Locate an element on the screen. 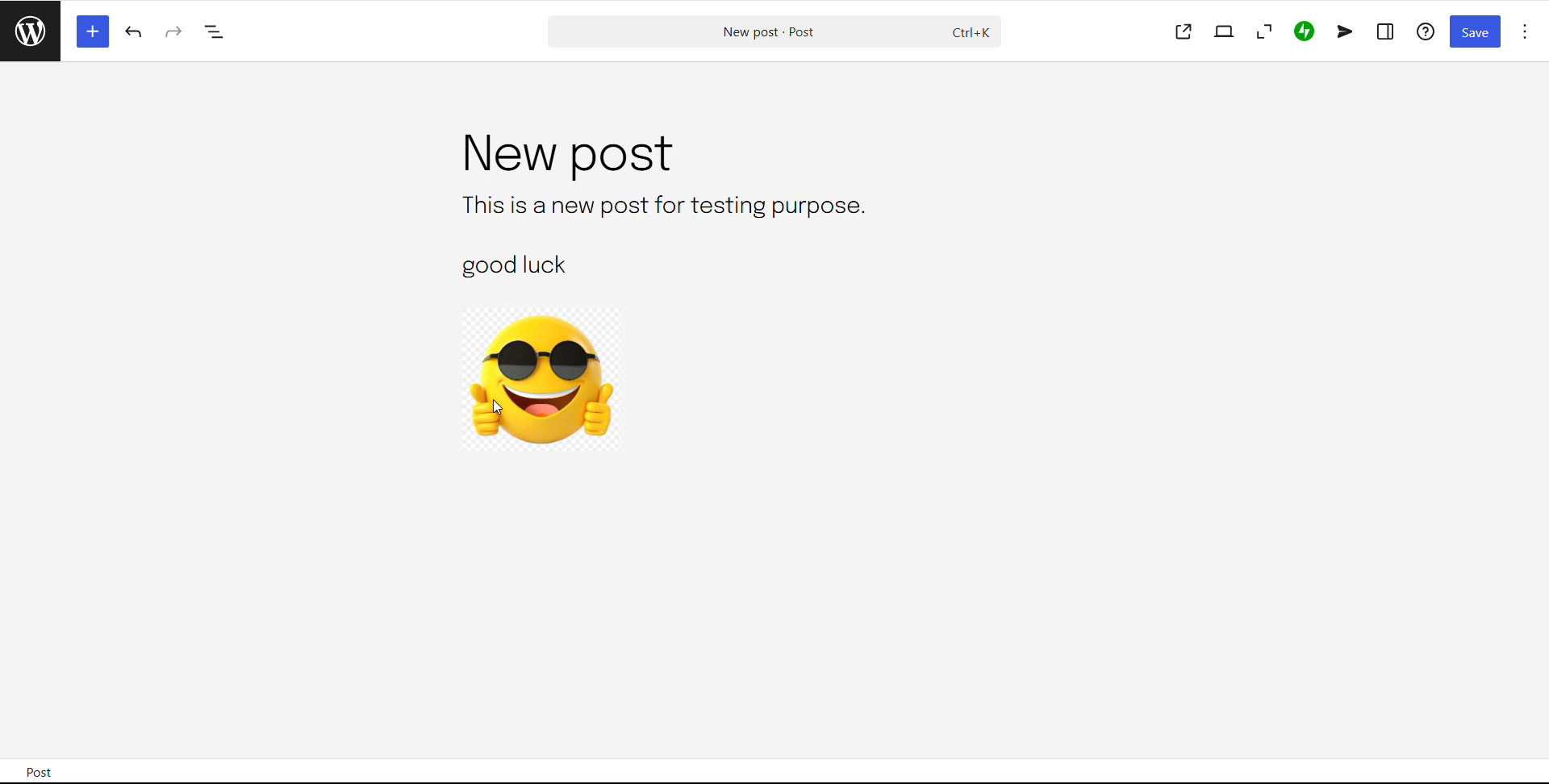 This screenshot has width=1549, height=784. settings is located at coordinates (1386, 31).